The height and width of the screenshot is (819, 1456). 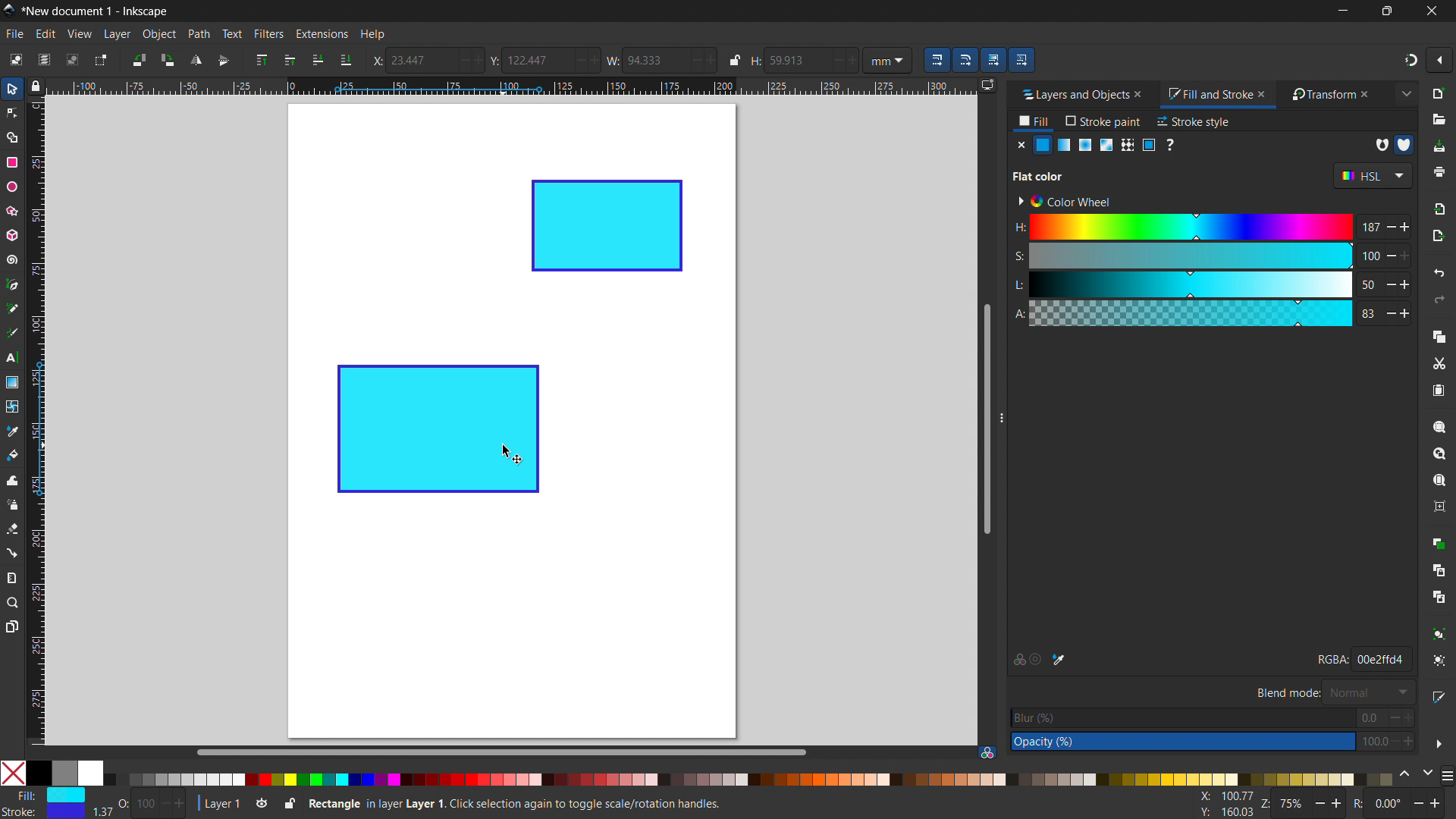 What do you see at coordinates (1438, 542) in the screenshot?
I see `duplicate` at bounding box center [1438, 542].